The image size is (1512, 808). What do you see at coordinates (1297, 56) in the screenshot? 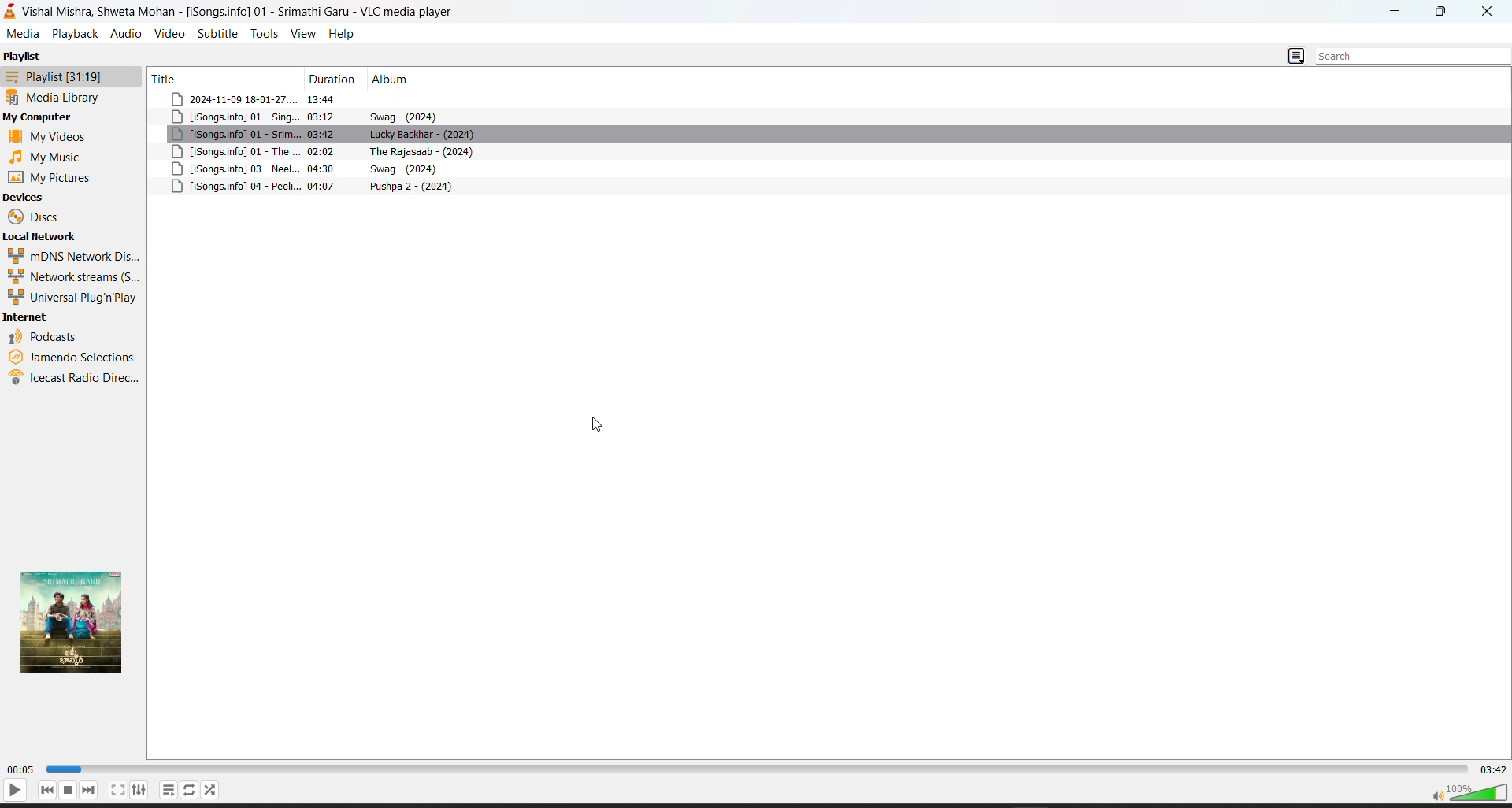
I see `change playlist view` at bounding box center [1297, 56].